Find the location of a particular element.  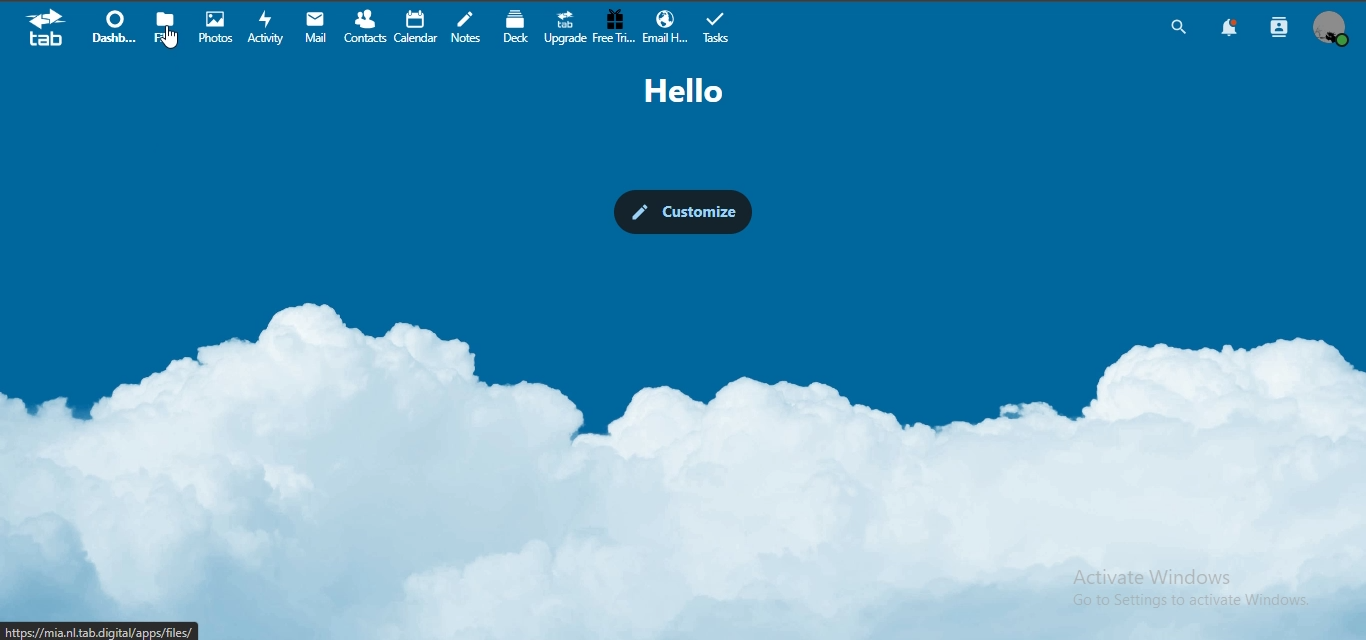

email hosting is located at coordinates (664, 25).